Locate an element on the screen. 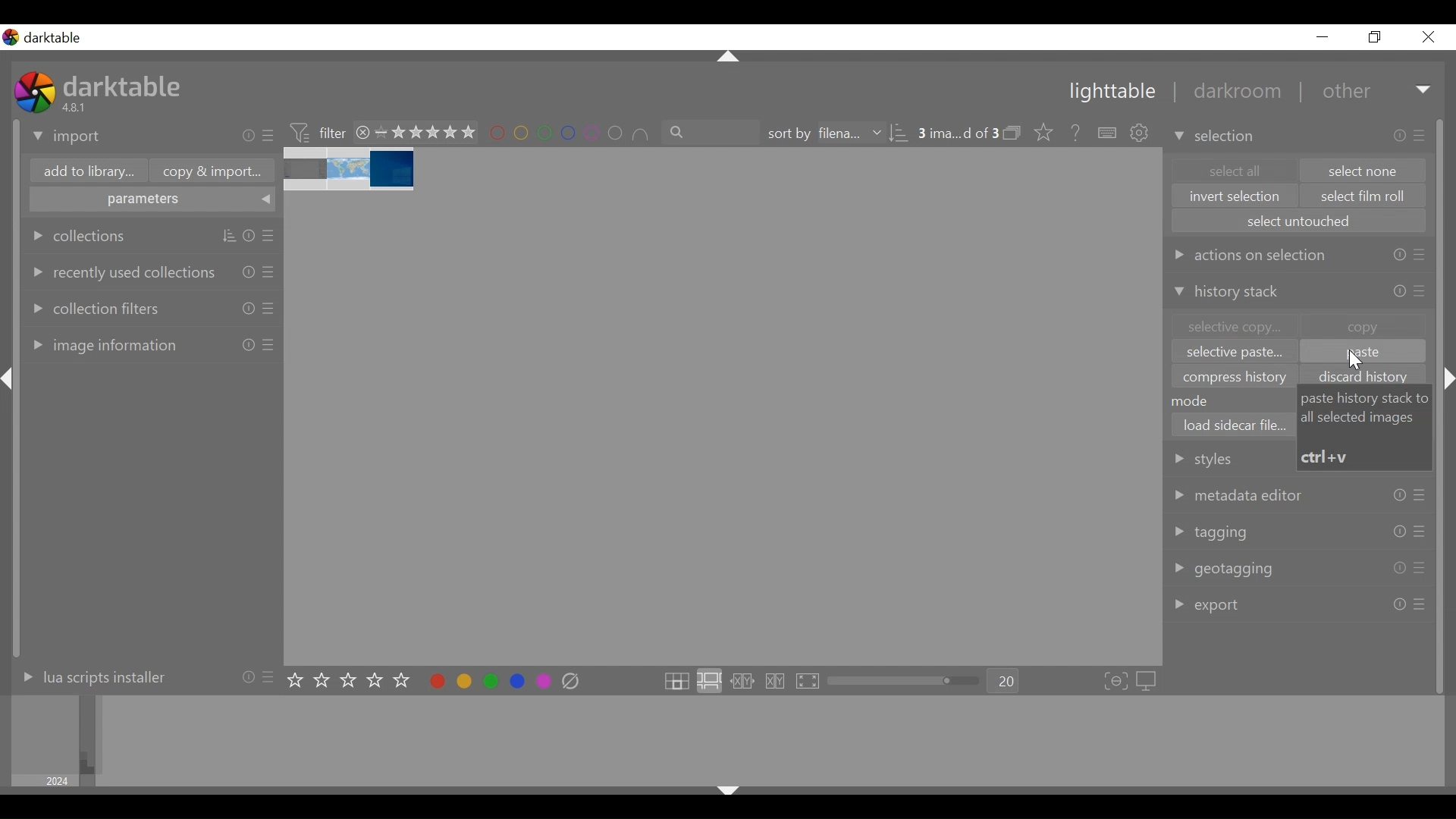 The image size is (1456, 819). collections is located at coordinates (80, 236).